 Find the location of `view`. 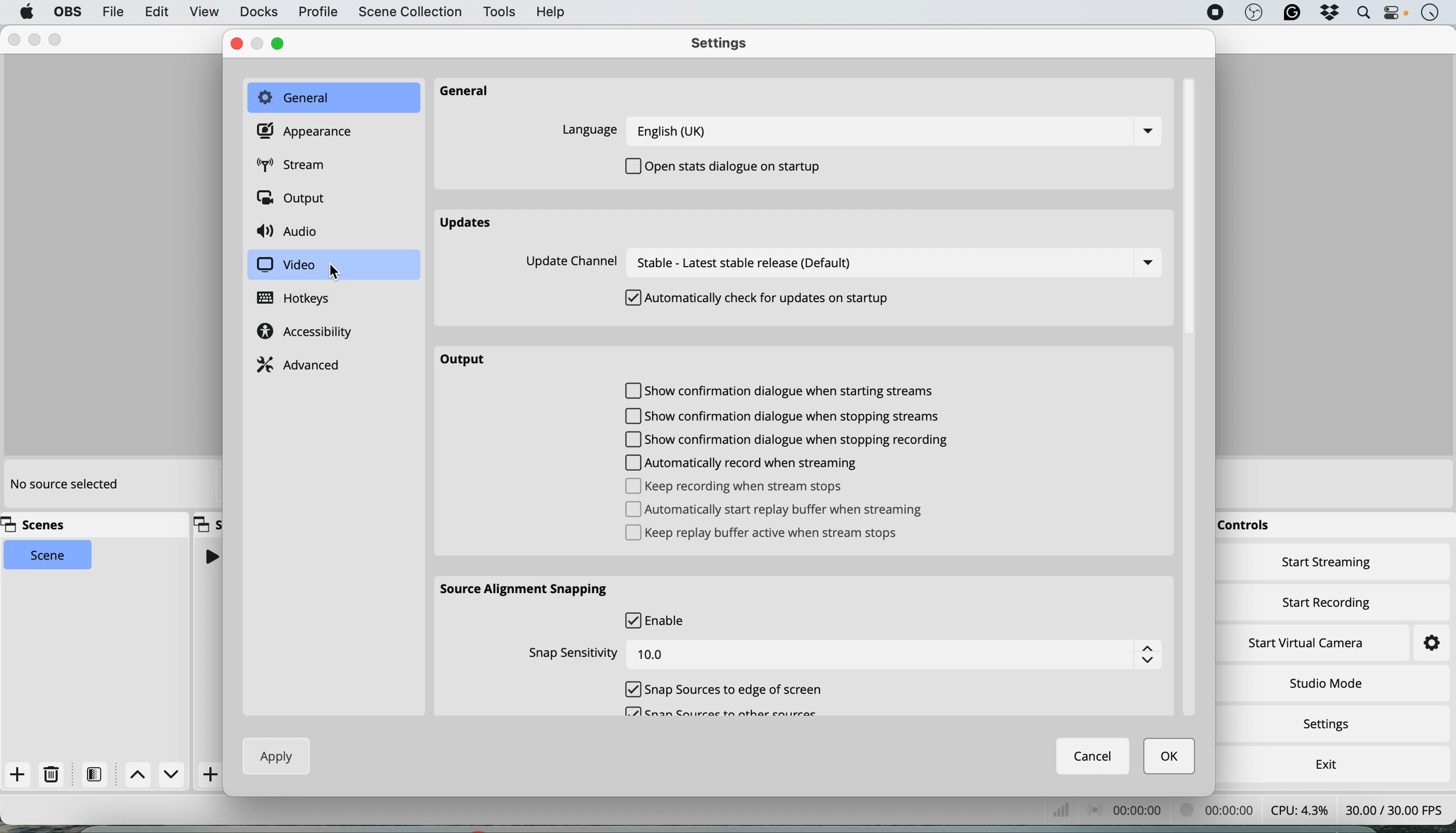

view is located at coordinates (204, 13).